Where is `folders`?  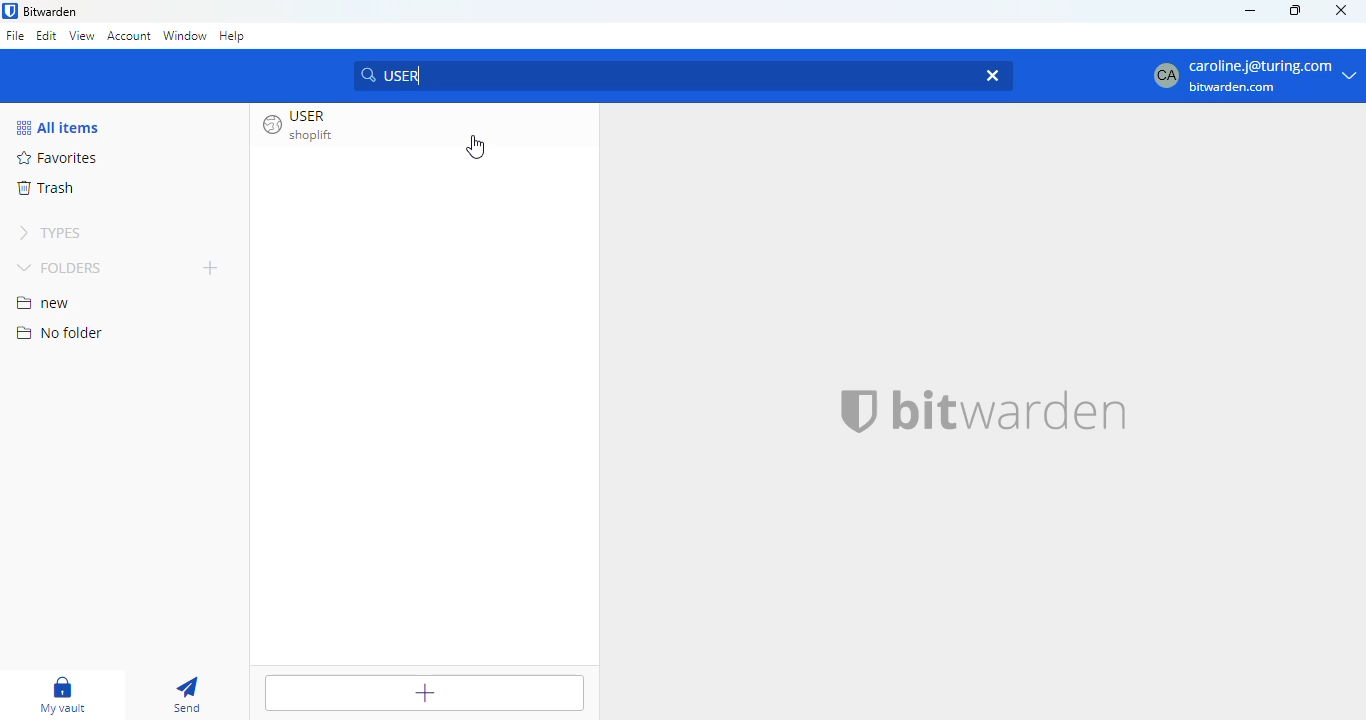 folders is located at coordinates (59, 267).